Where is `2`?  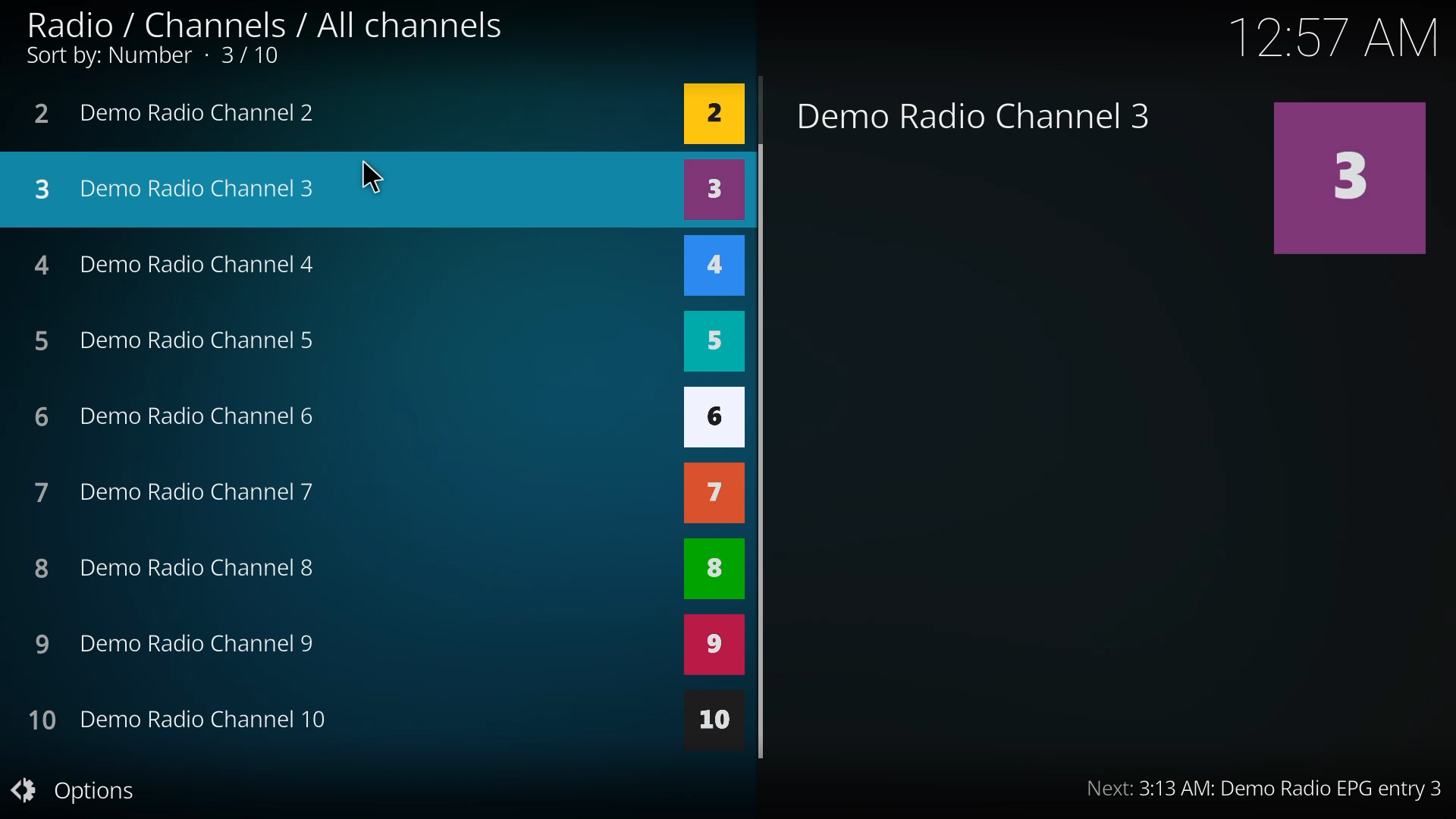
2 is located at coordinates (712, 112).